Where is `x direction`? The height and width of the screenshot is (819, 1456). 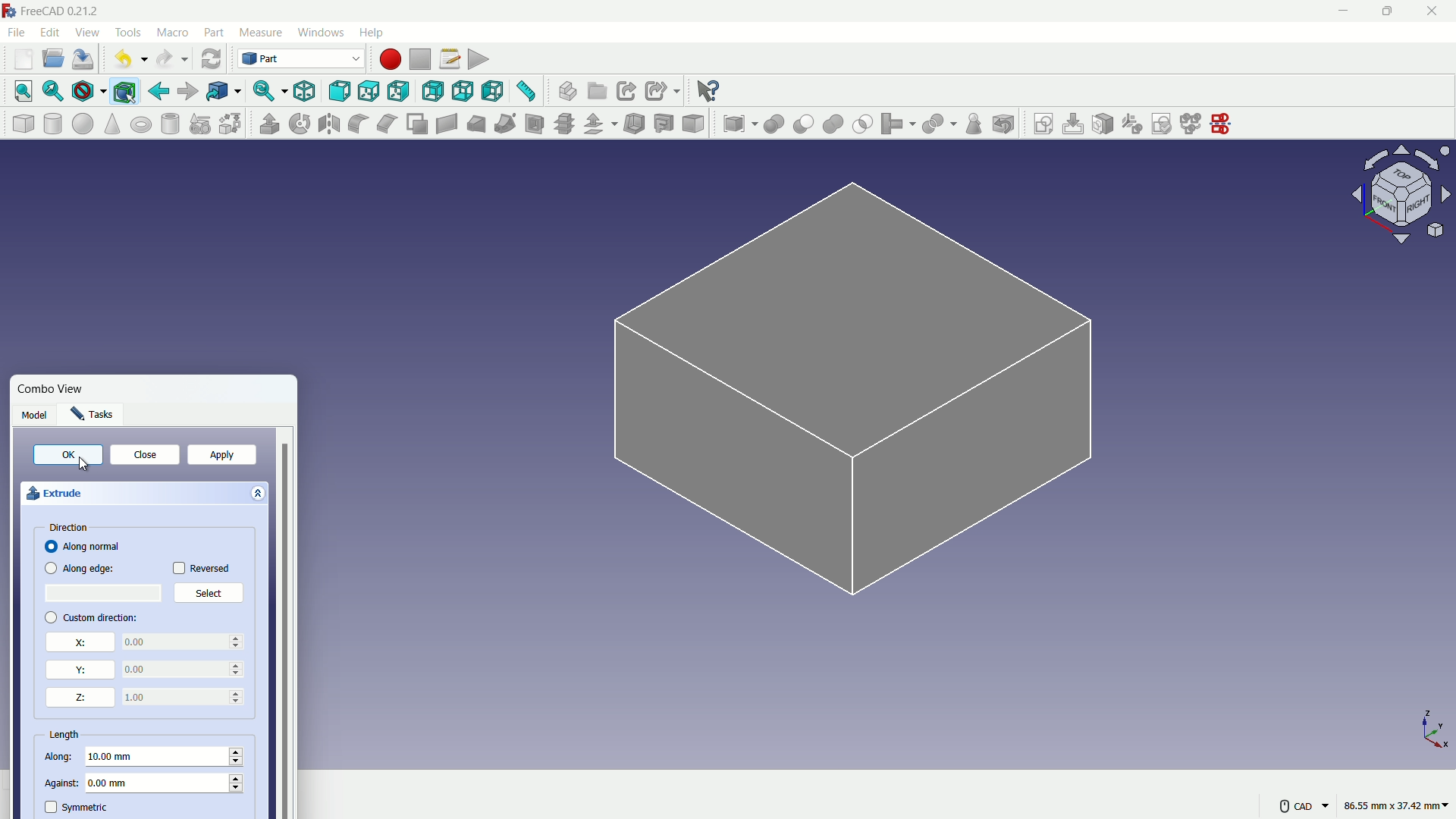
x direction is located at coordinates (80, 642).